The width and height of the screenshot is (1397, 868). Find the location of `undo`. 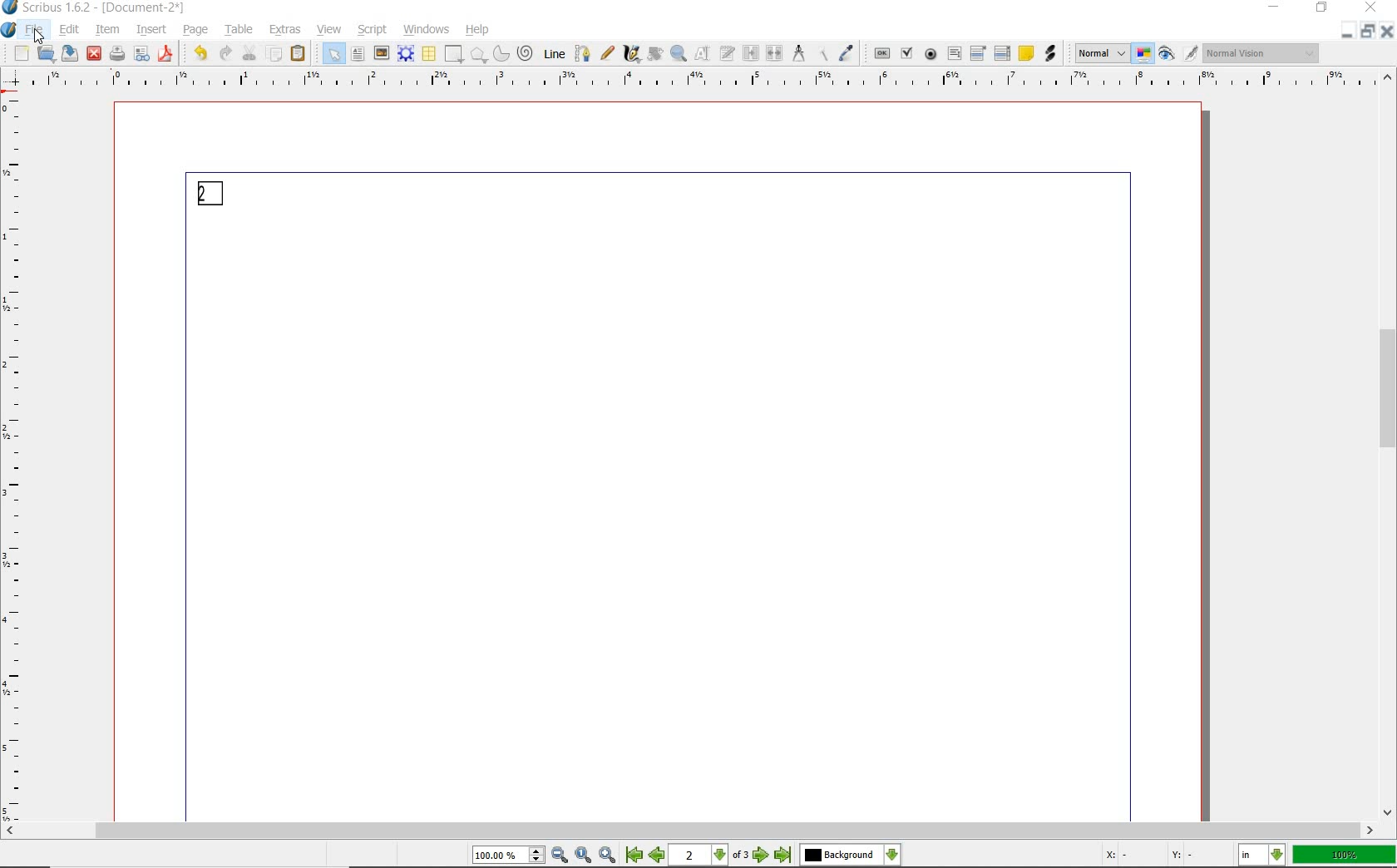

undo is located at coordinates (198, 53).